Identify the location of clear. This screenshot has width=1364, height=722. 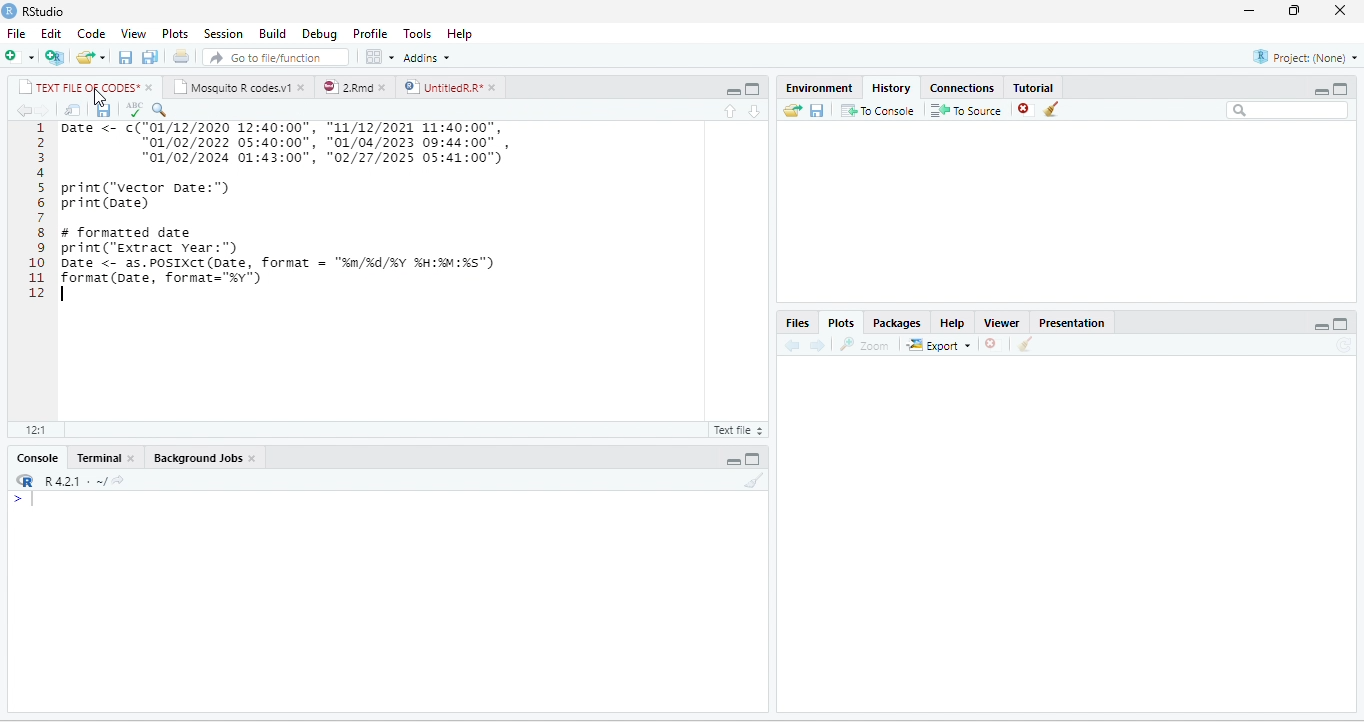
(1025, 343).